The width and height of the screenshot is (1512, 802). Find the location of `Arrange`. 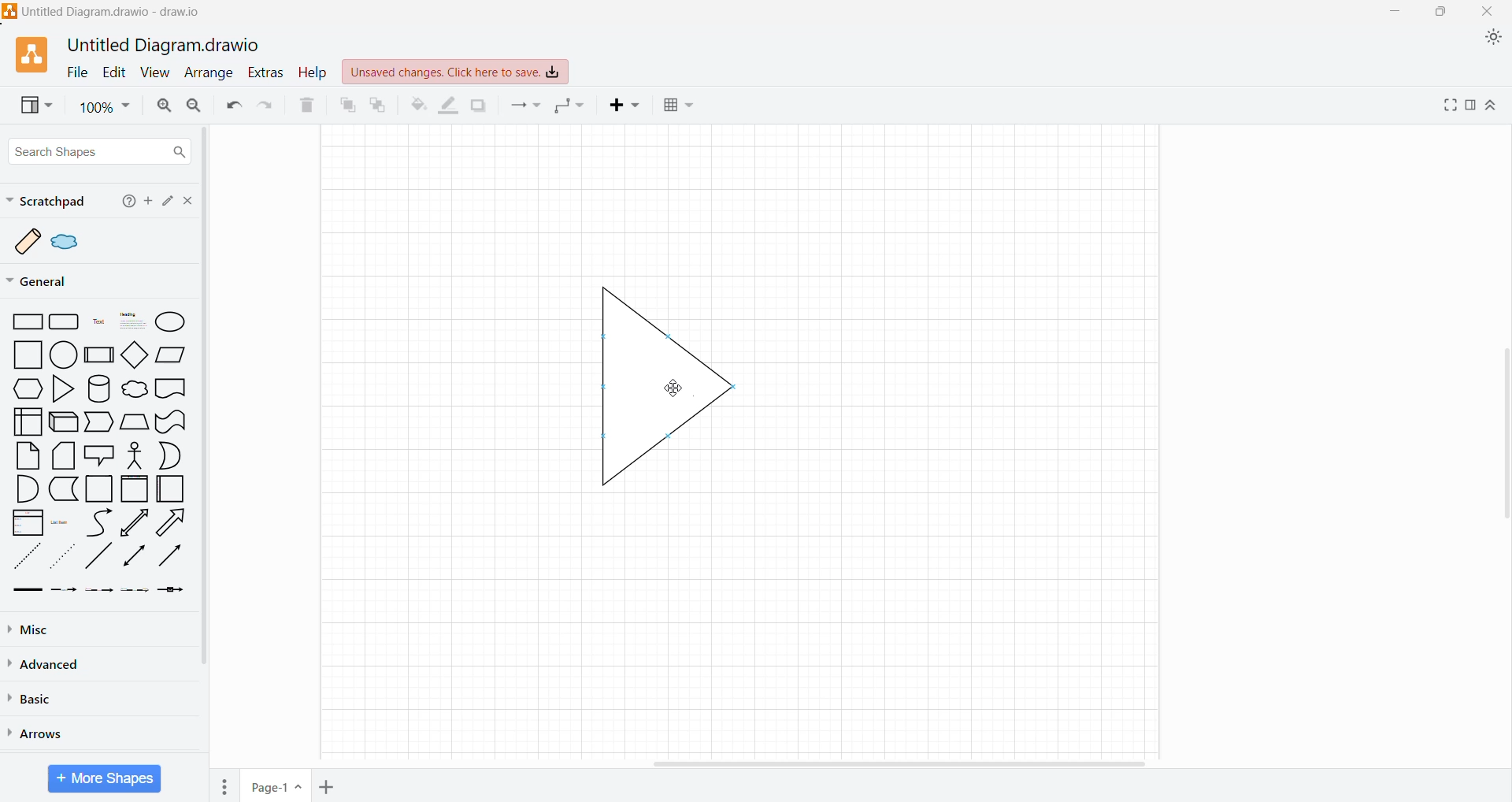

Arrange is located at coordinates (211, 73).